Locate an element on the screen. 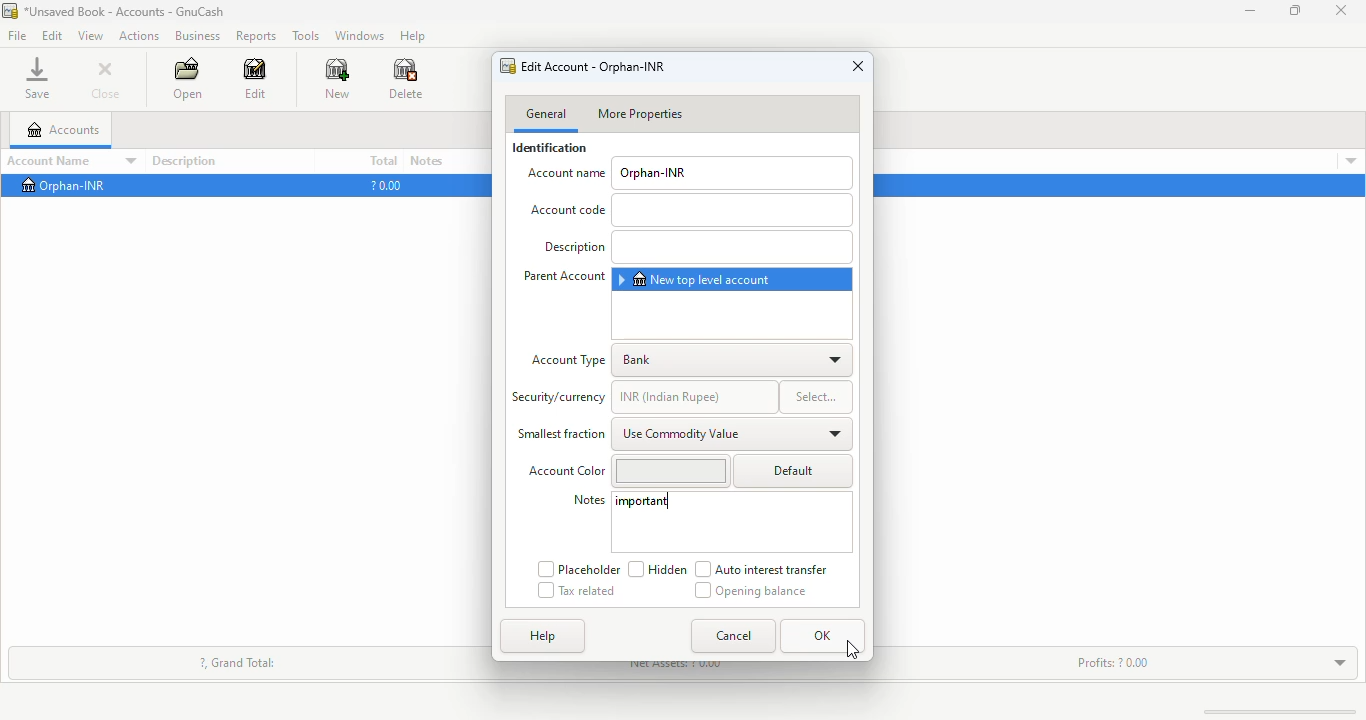 The width and height of the screenshot is (1366, 720). Description is located at coordinates (573, 247).